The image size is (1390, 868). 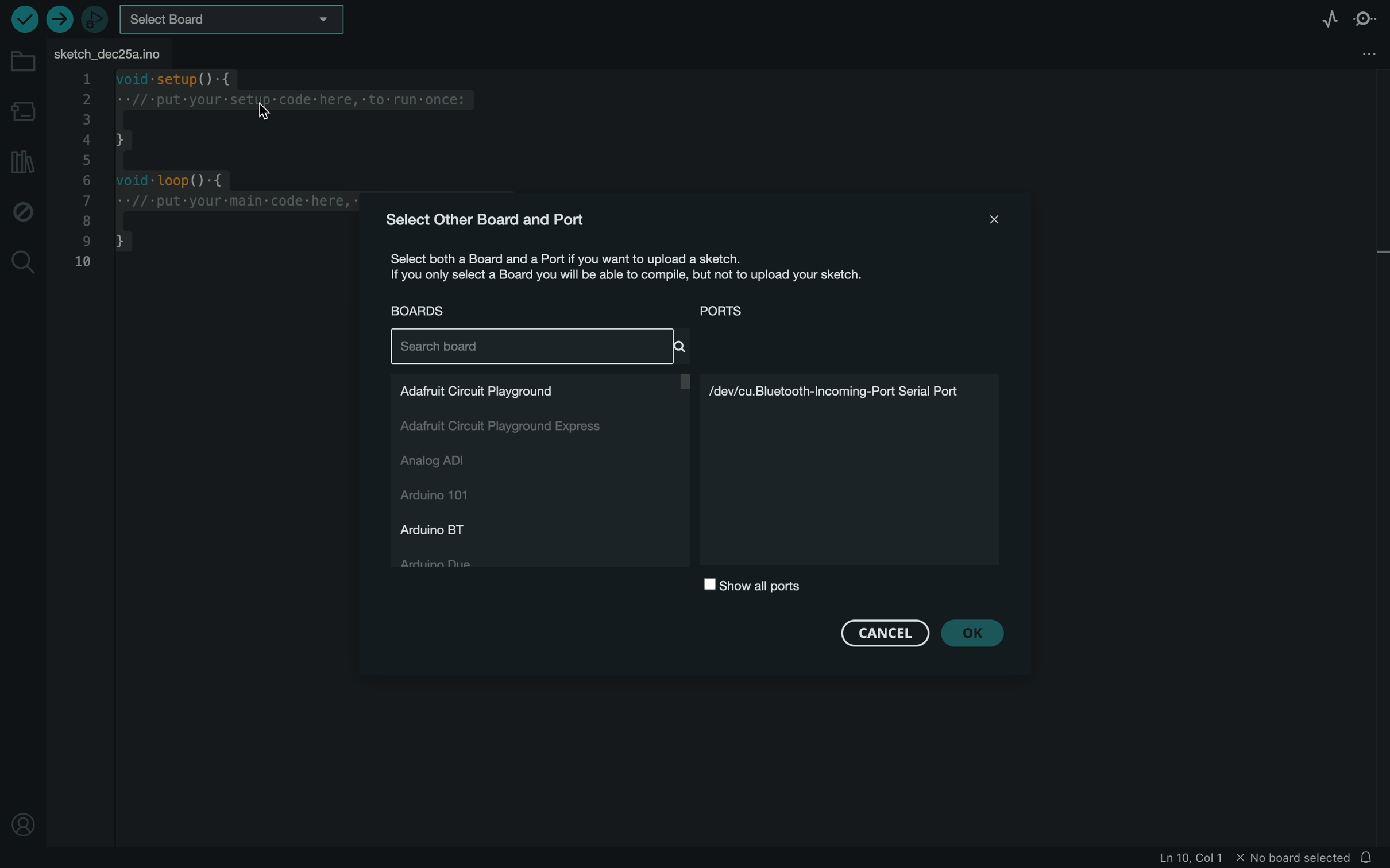 I want to click on connected board via ports, so click(x=856, y=470).